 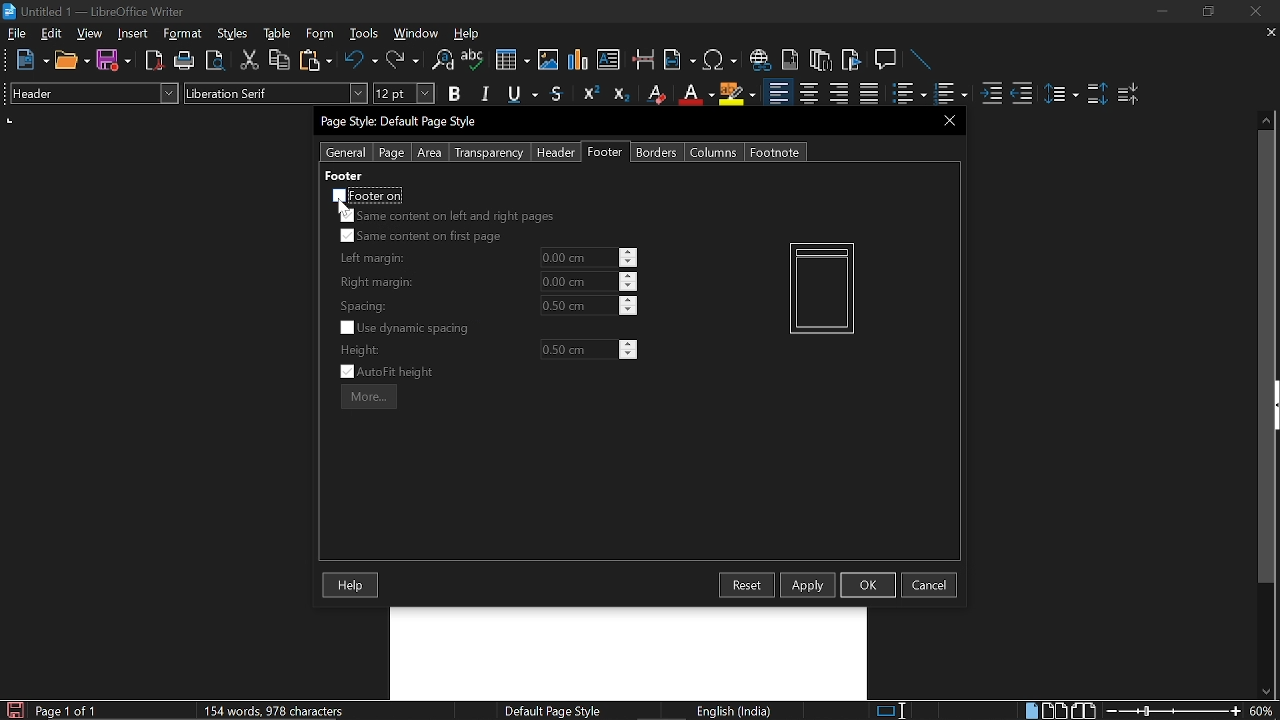 I want to click on Single page view, so click(x=1031, y=710).